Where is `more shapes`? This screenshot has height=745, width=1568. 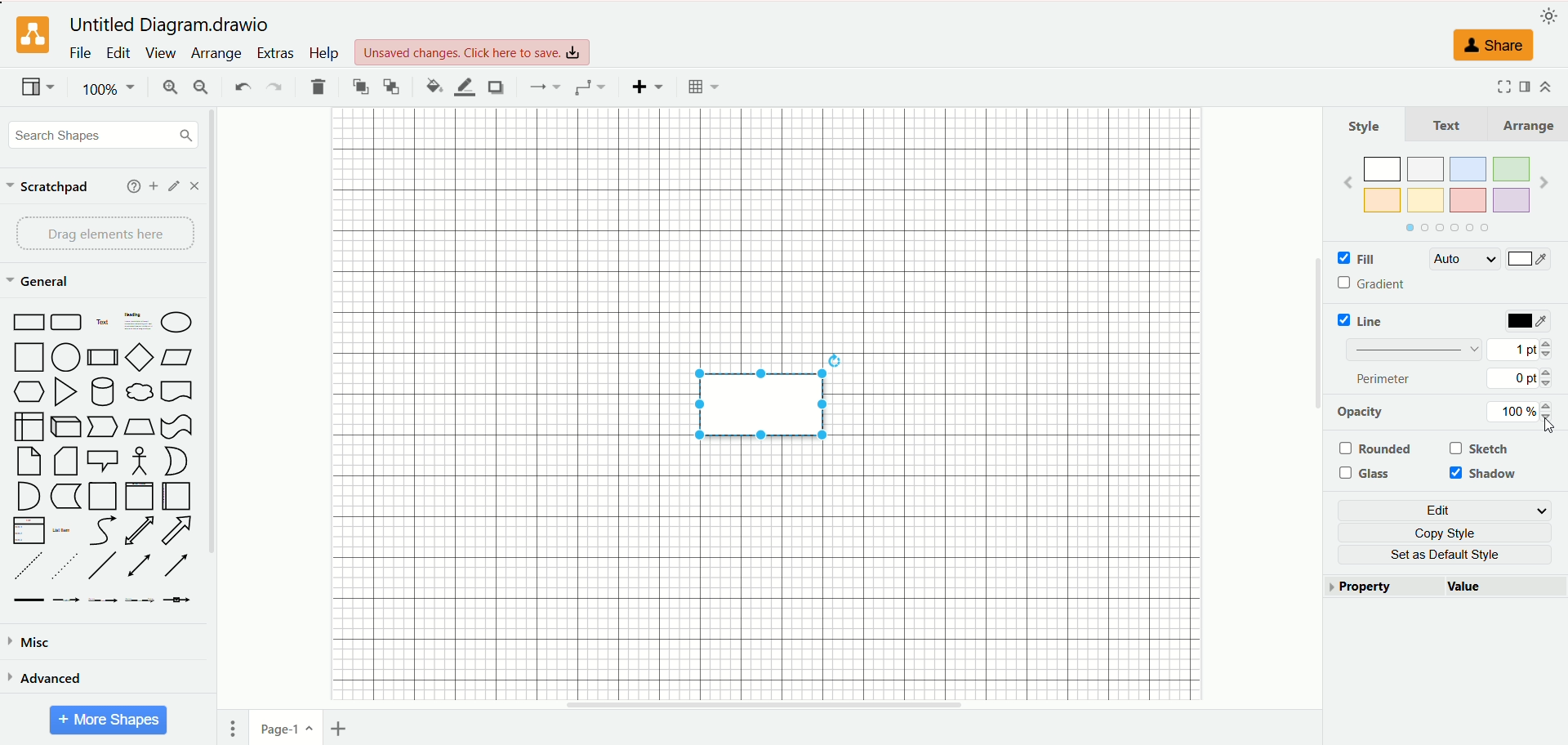
more shapes is located at coordinates (109, 720).